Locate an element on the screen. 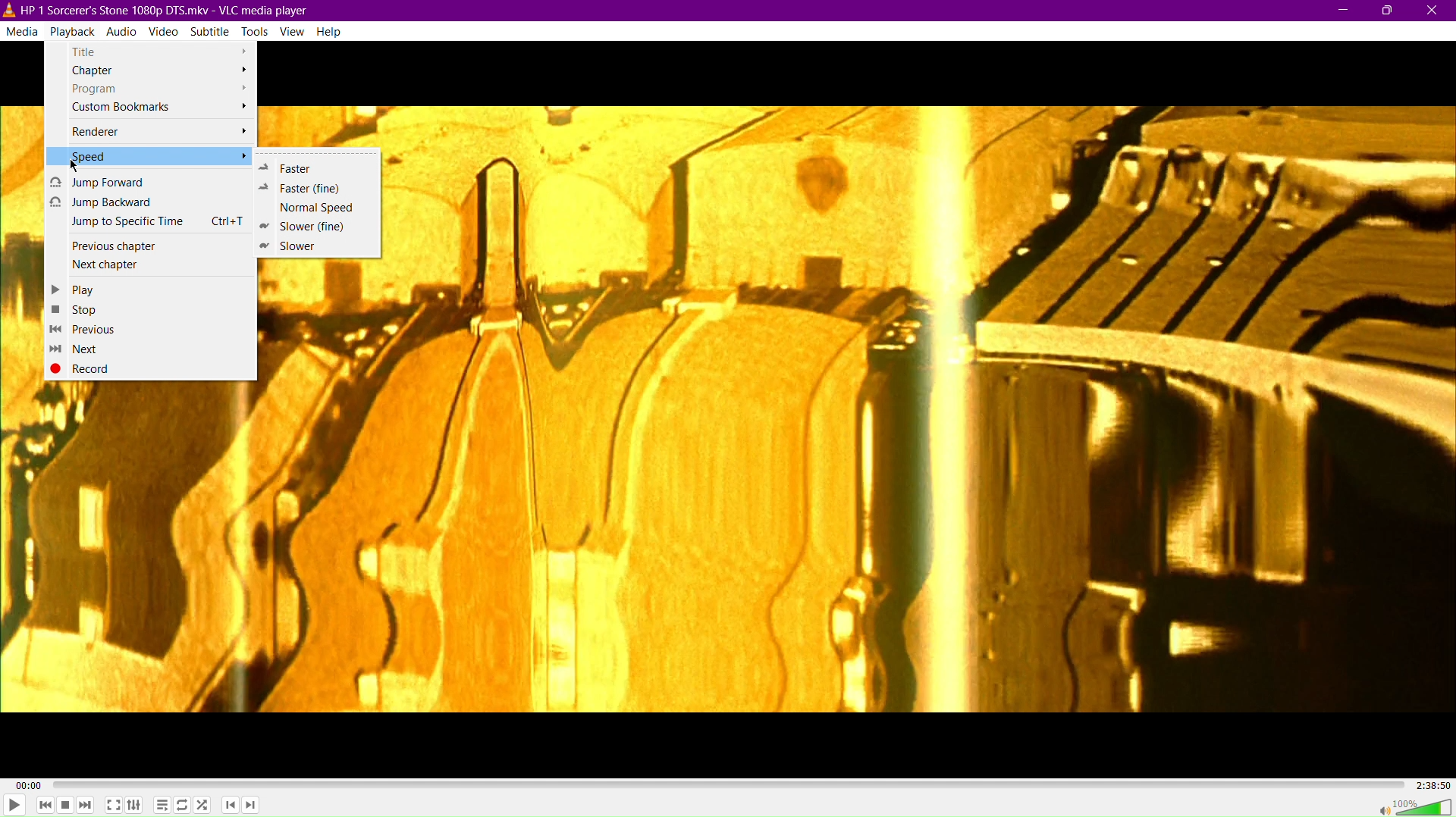 The image size is (1456, 817). Jump Backward is located at coordinates (150, 202).